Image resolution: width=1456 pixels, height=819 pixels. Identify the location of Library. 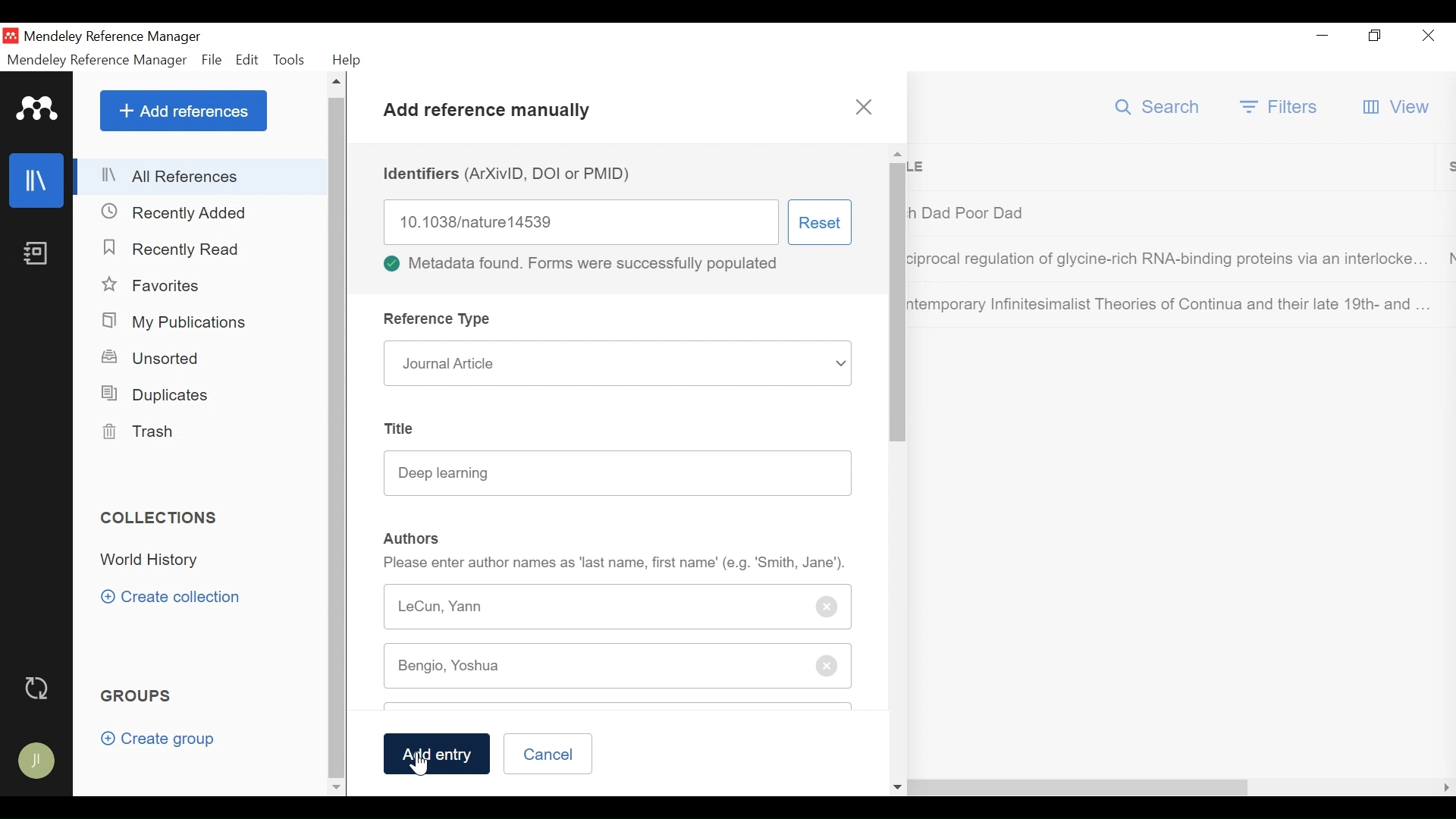
(38, 180).